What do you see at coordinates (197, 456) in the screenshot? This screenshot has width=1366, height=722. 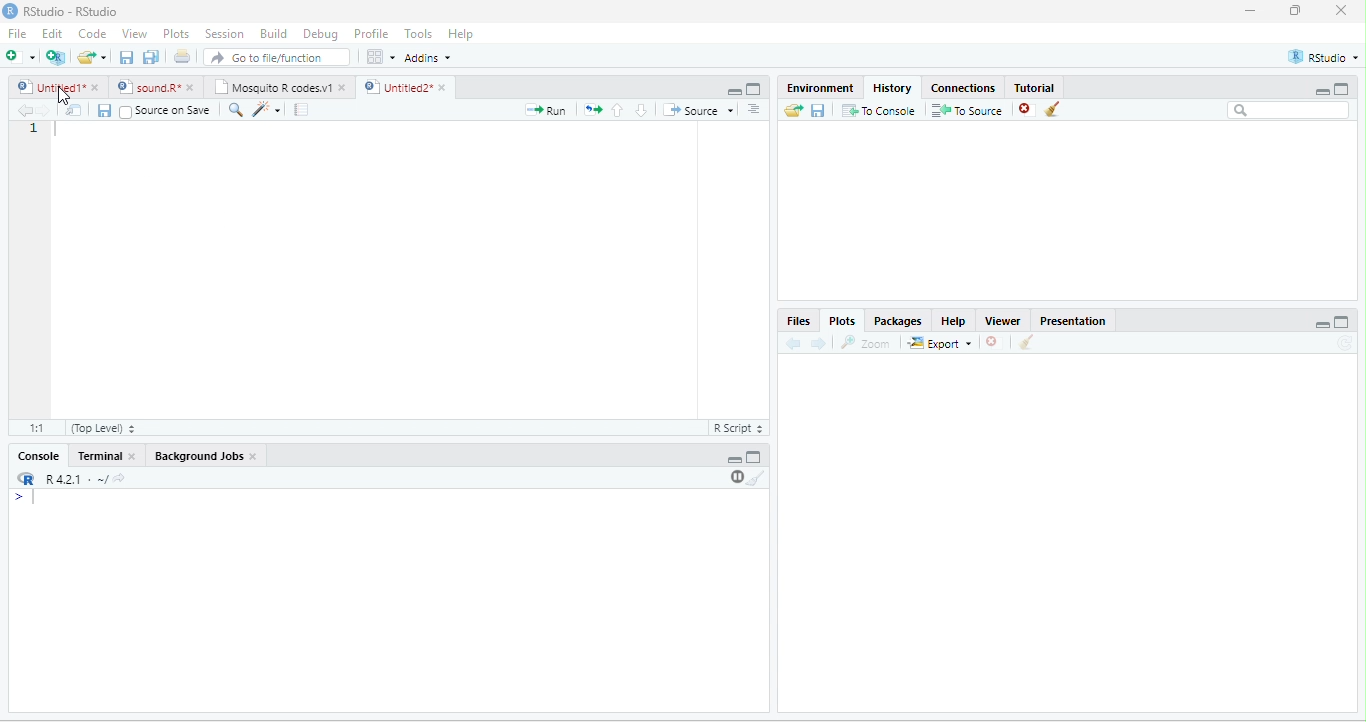 I see `Background Jobs` at bounding box center [197, 456].